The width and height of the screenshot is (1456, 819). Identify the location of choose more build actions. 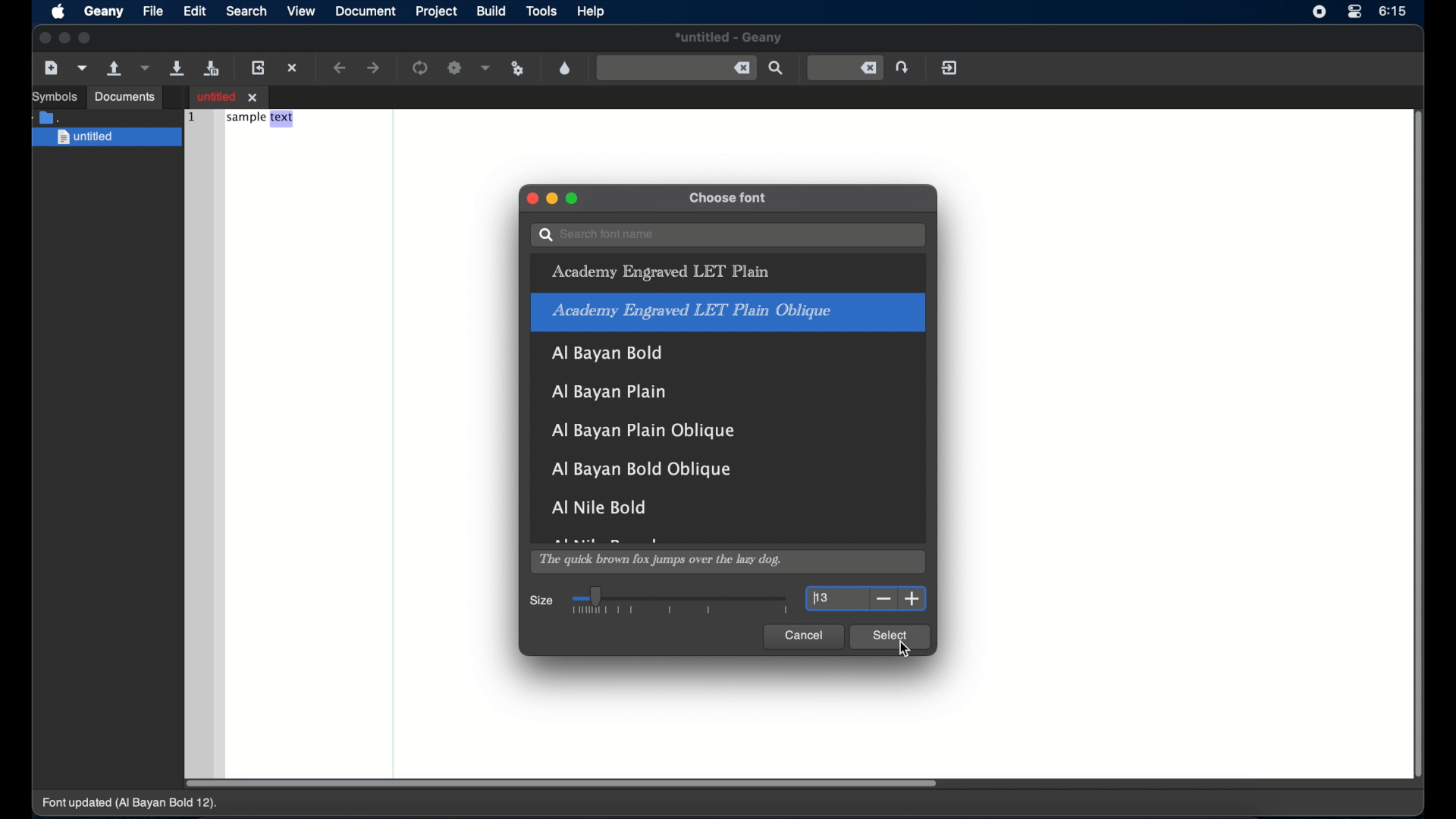
(486, 67).